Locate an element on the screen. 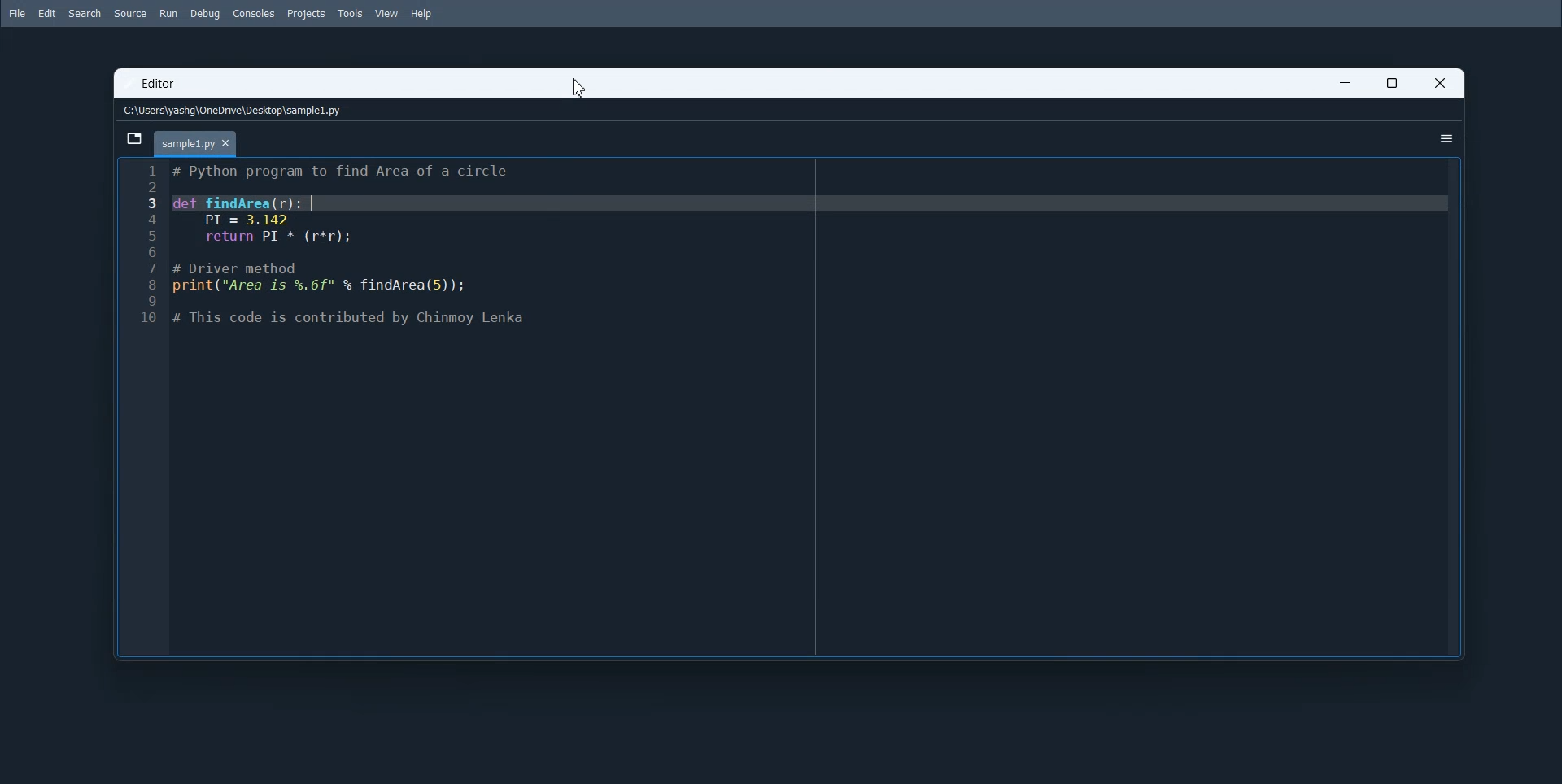 The image size is (1562, 784). Browse Tab is located at coordinates (135, 139).